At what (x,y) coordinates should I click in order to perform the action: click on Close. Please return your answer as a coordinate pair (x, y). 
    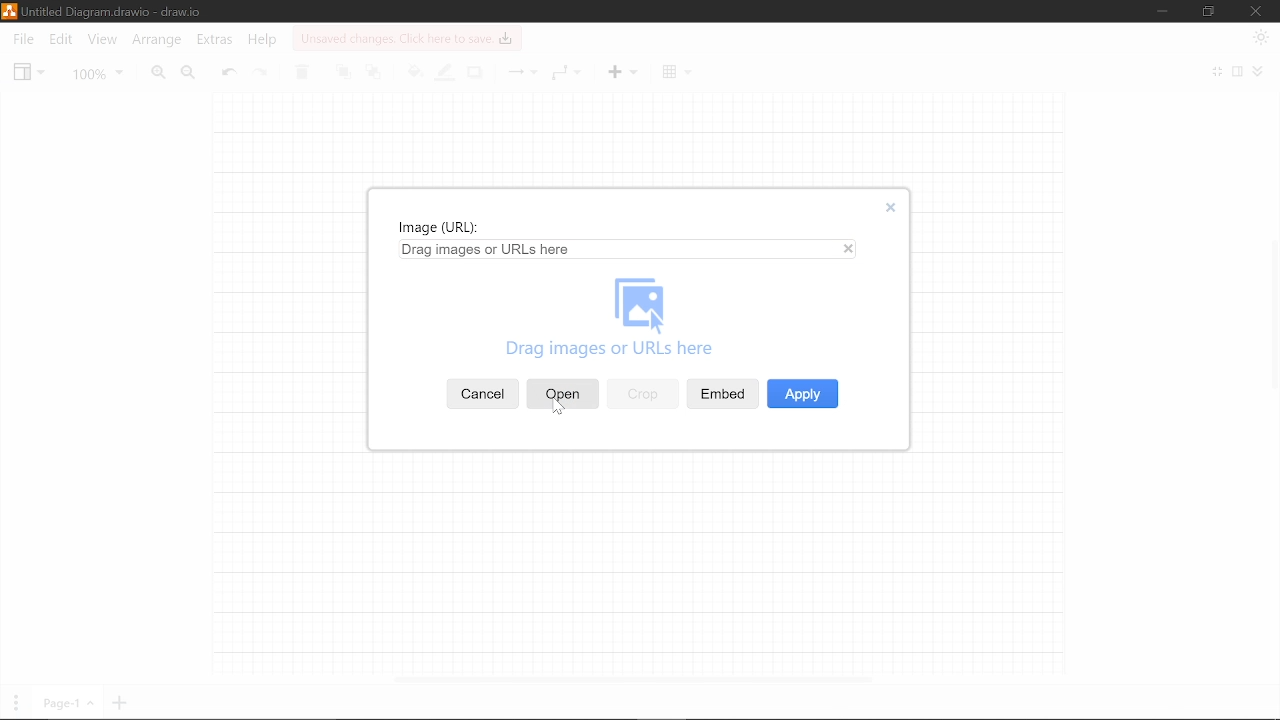
    Looking at the image, I should click on (1255, 11).